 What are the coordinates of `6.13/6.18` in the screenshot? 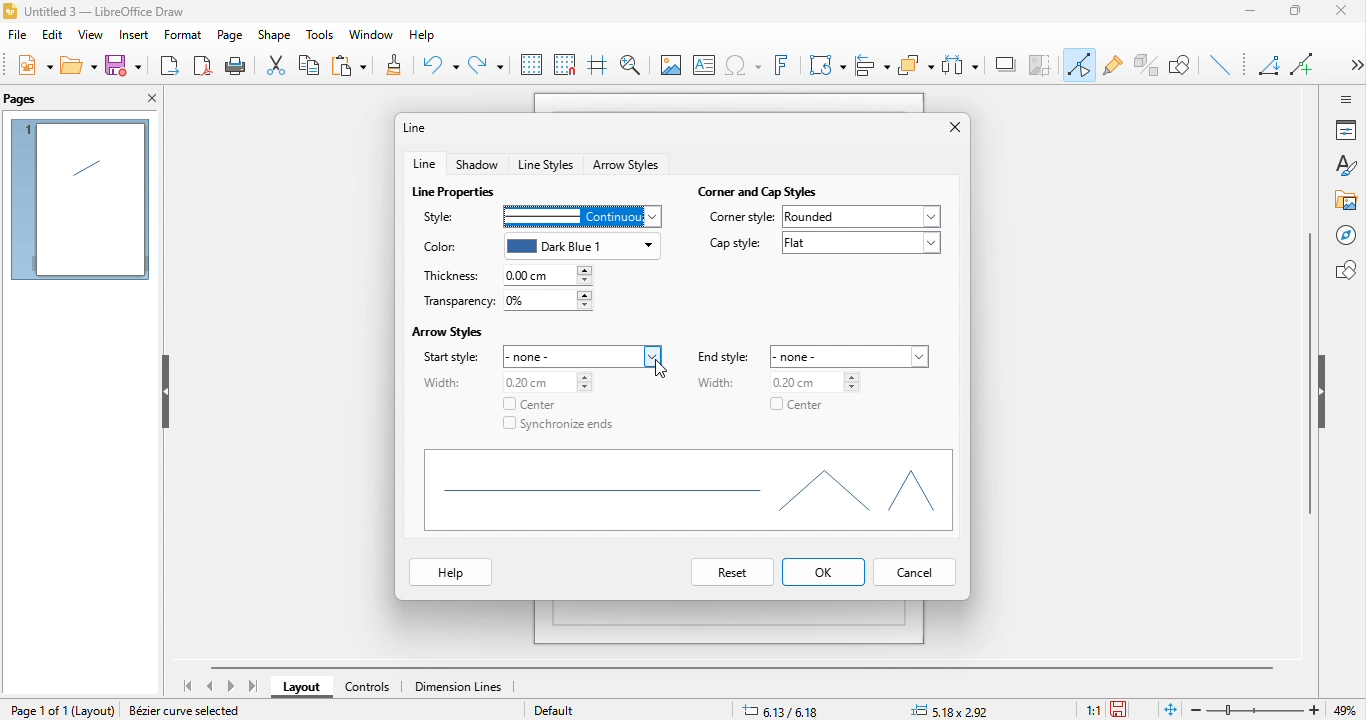 It's located at (783, 710).